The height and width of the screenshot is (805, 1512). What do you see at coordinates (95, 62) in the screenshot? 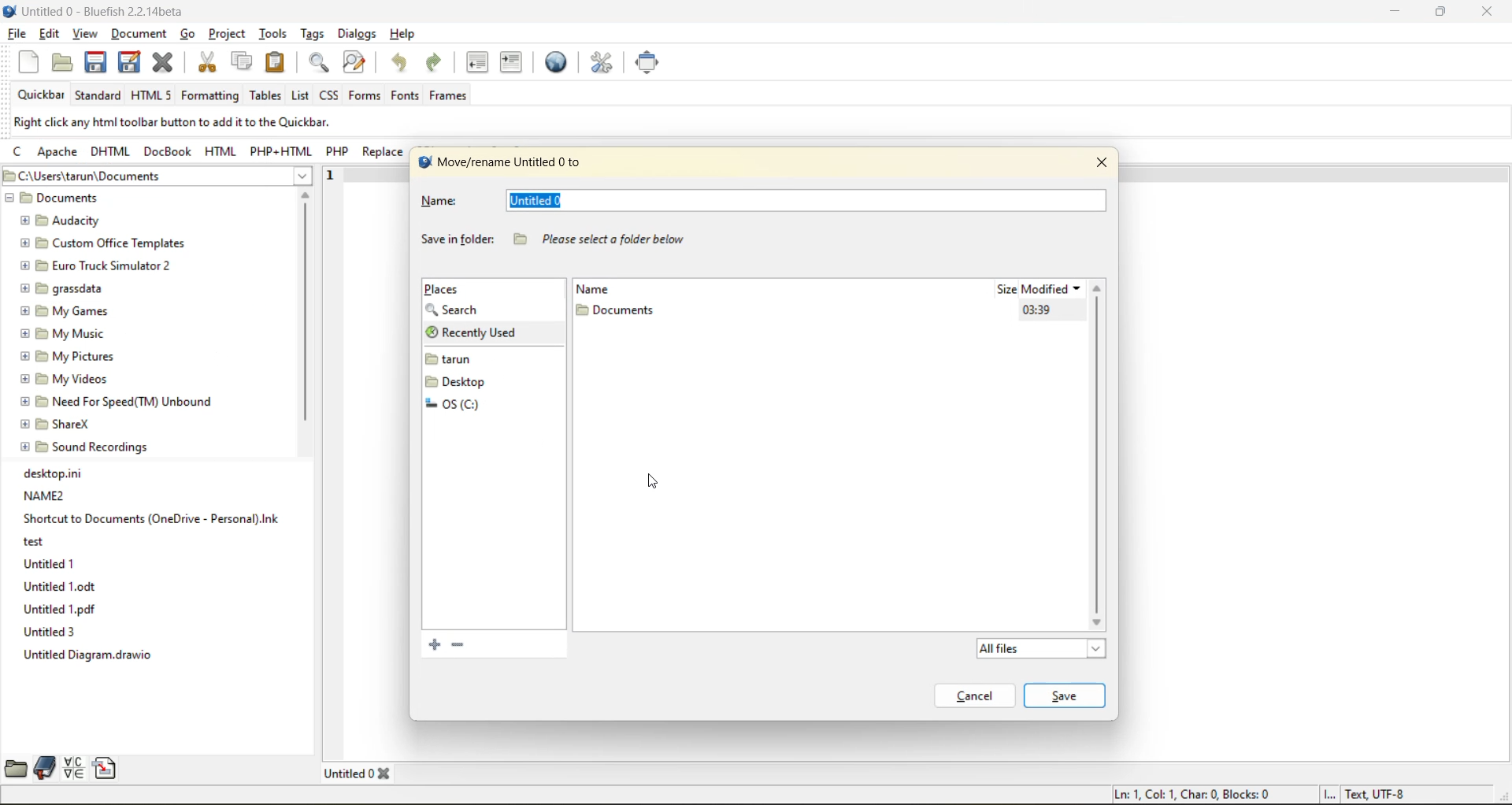
I see `save` at bounding box center [95, 62].